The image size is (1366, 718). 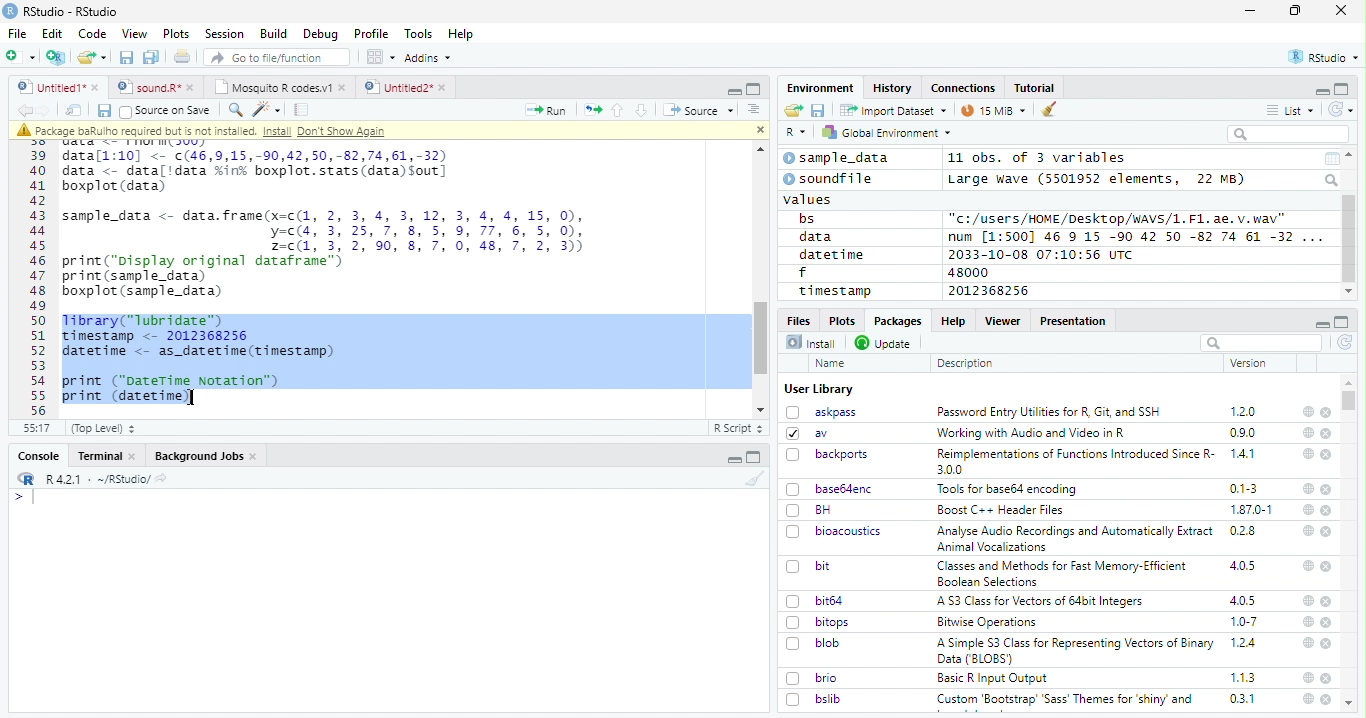 I want to click on close, so click(x=1328, y=532).